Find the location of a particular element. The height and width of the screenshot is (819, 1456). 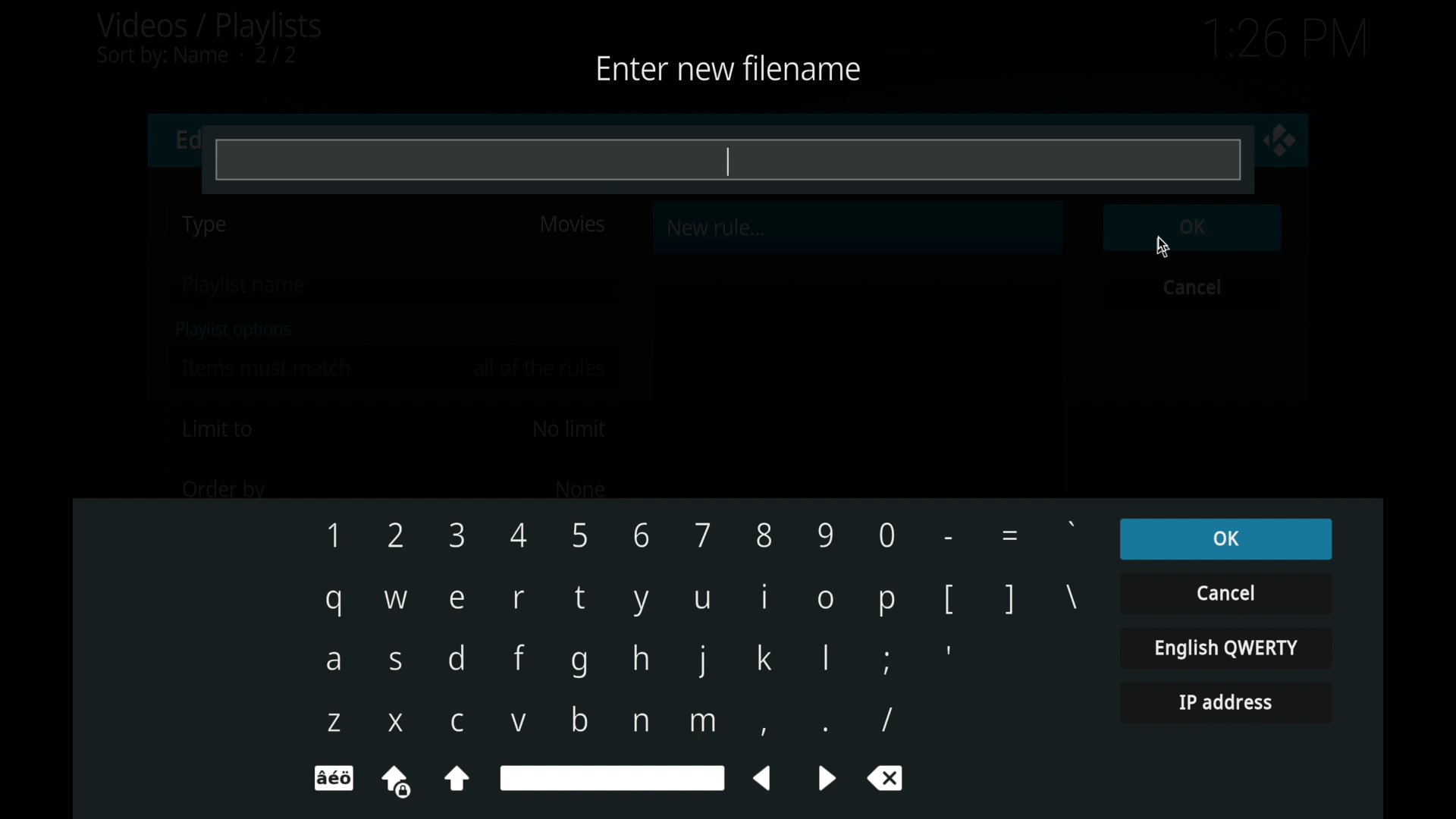

screen keyboard is located at coordinates (701, 657).